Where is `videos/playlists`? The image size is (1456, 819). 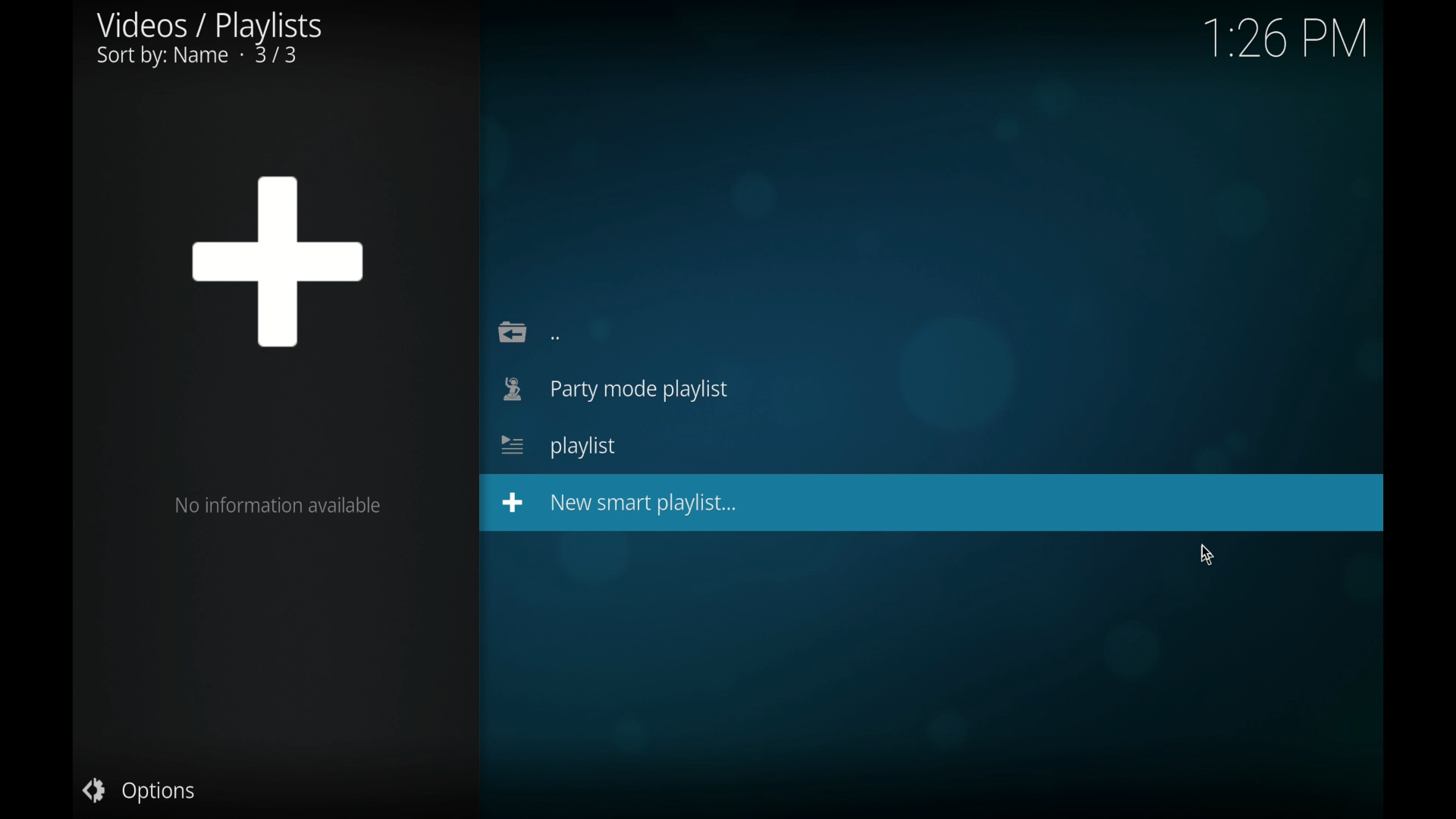
videos/playlists is located at coordinates (209, 39).